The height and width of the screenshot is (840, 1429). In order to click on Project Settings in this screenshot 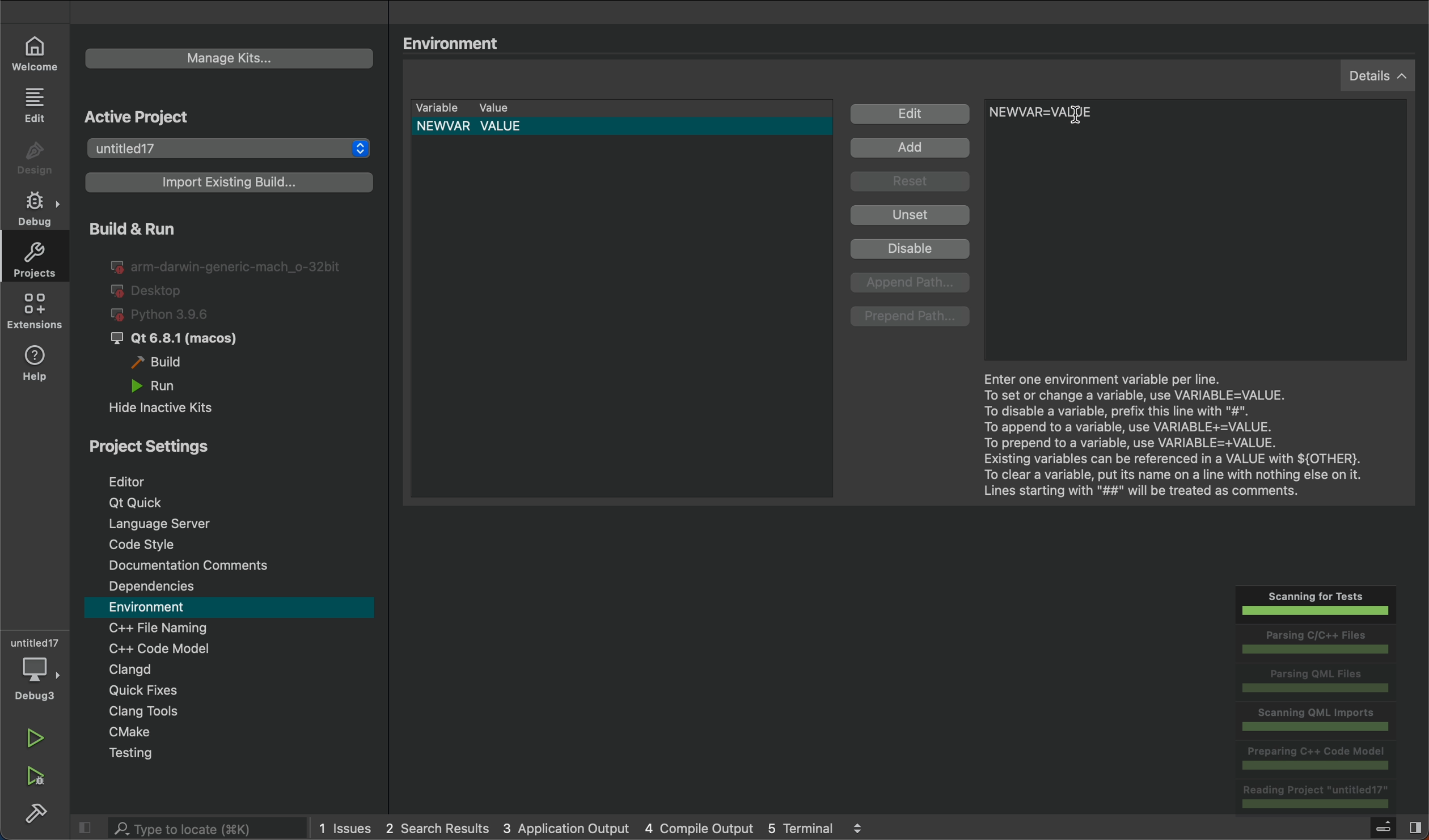, I will do `click(223, 443)`.